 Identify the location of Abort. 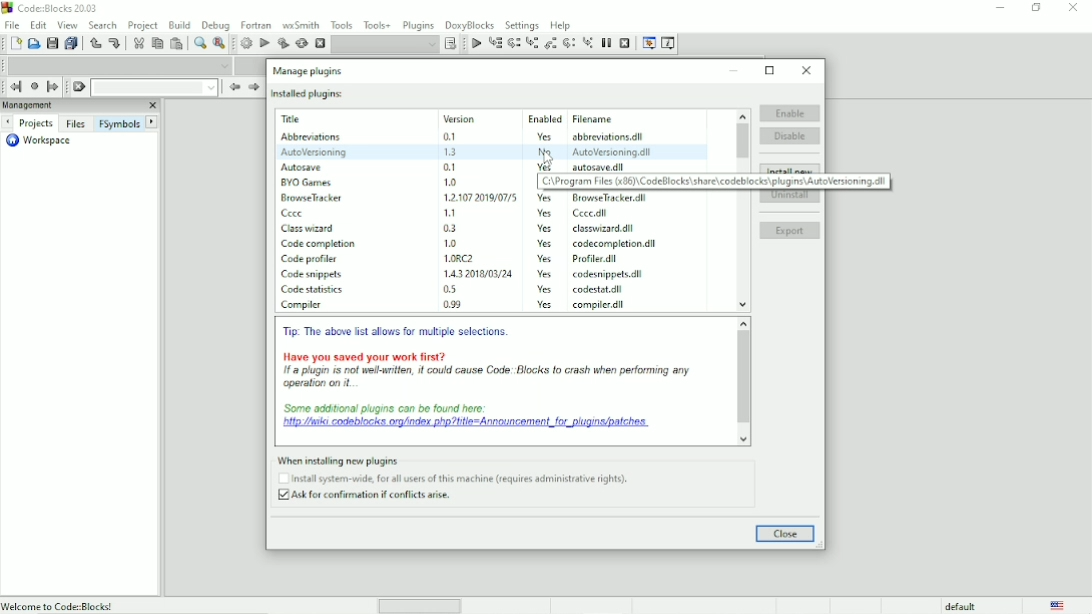
(319, 43).